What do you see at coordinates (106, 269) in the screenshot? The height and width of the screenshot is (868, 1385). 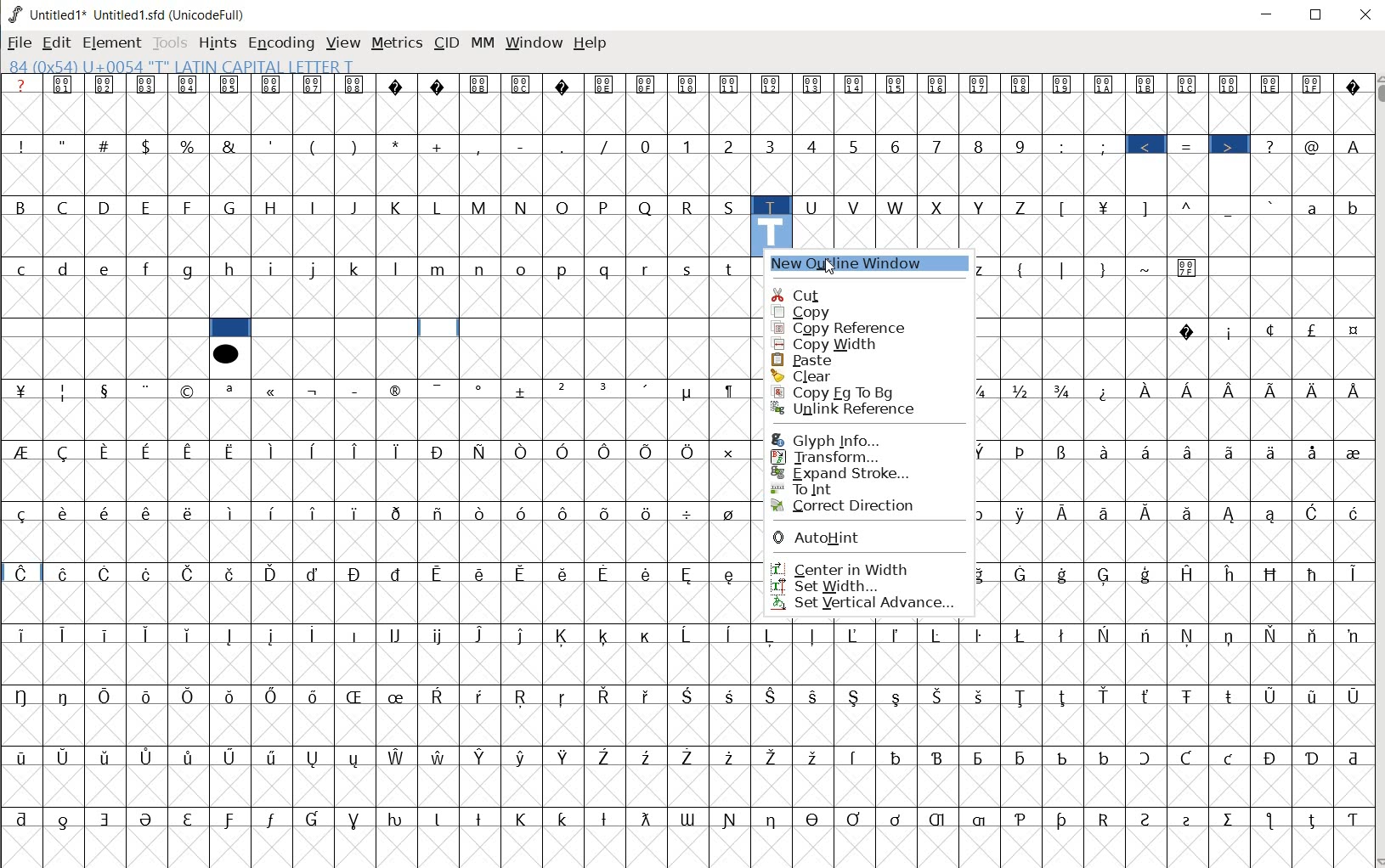 I see `e` at bounding box center [106, 269].